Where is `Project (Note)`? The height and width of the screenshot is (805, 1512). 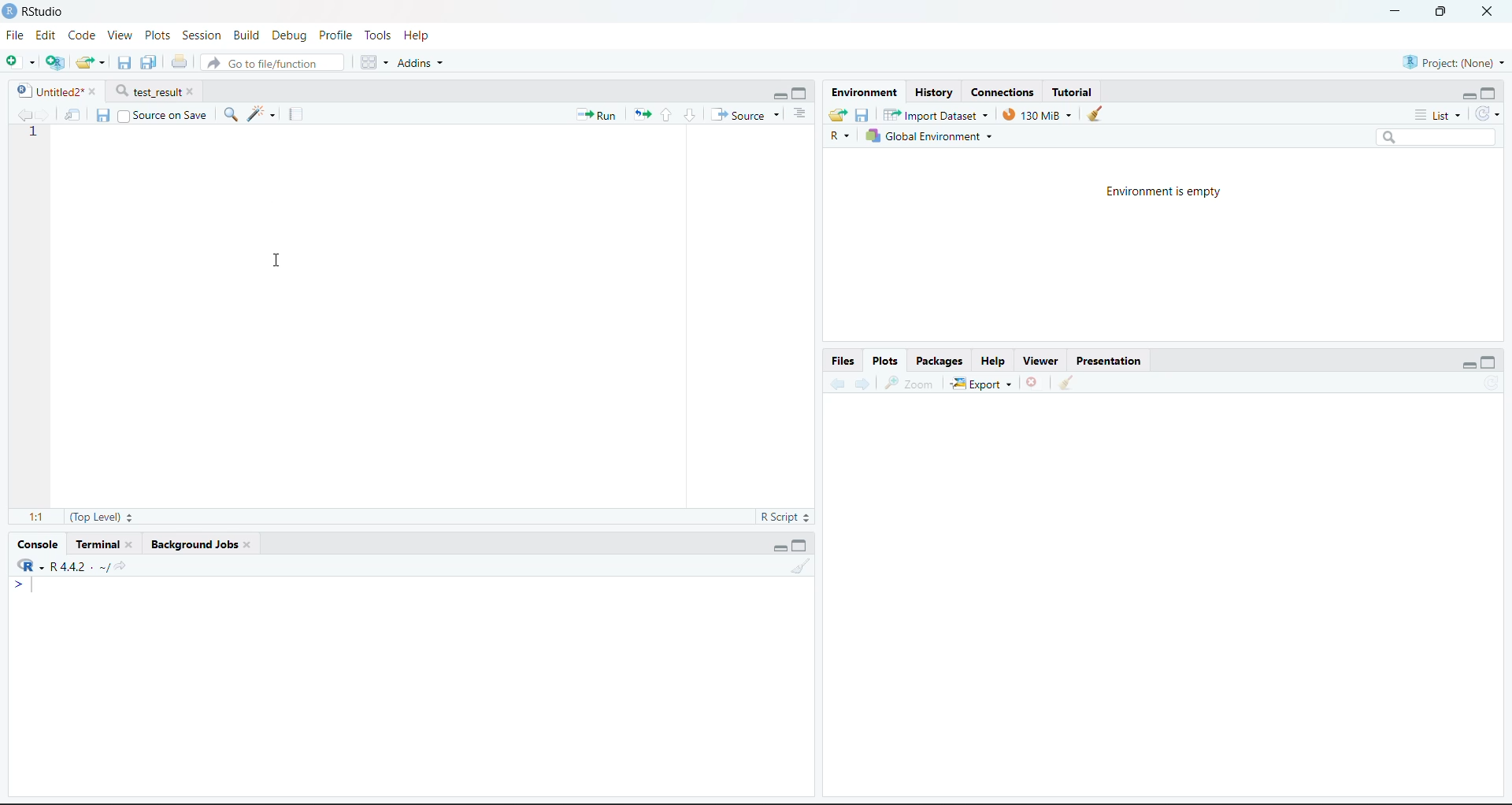
Project (Note) is located at coordinates (1451, 61).